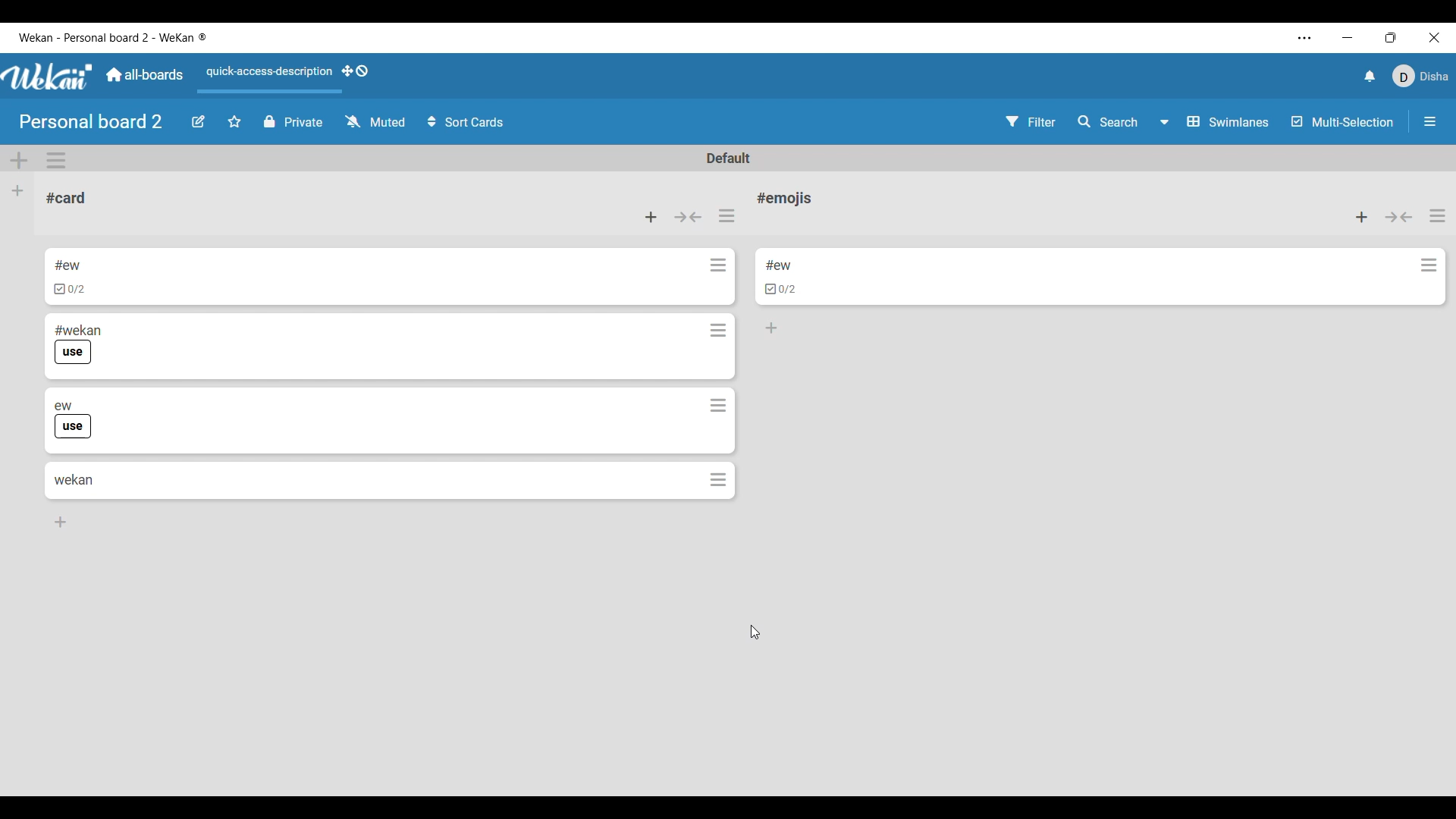 This screenshot has width=1456, height=819. I want to click on Show desktop drag handles, so click(355, 71).